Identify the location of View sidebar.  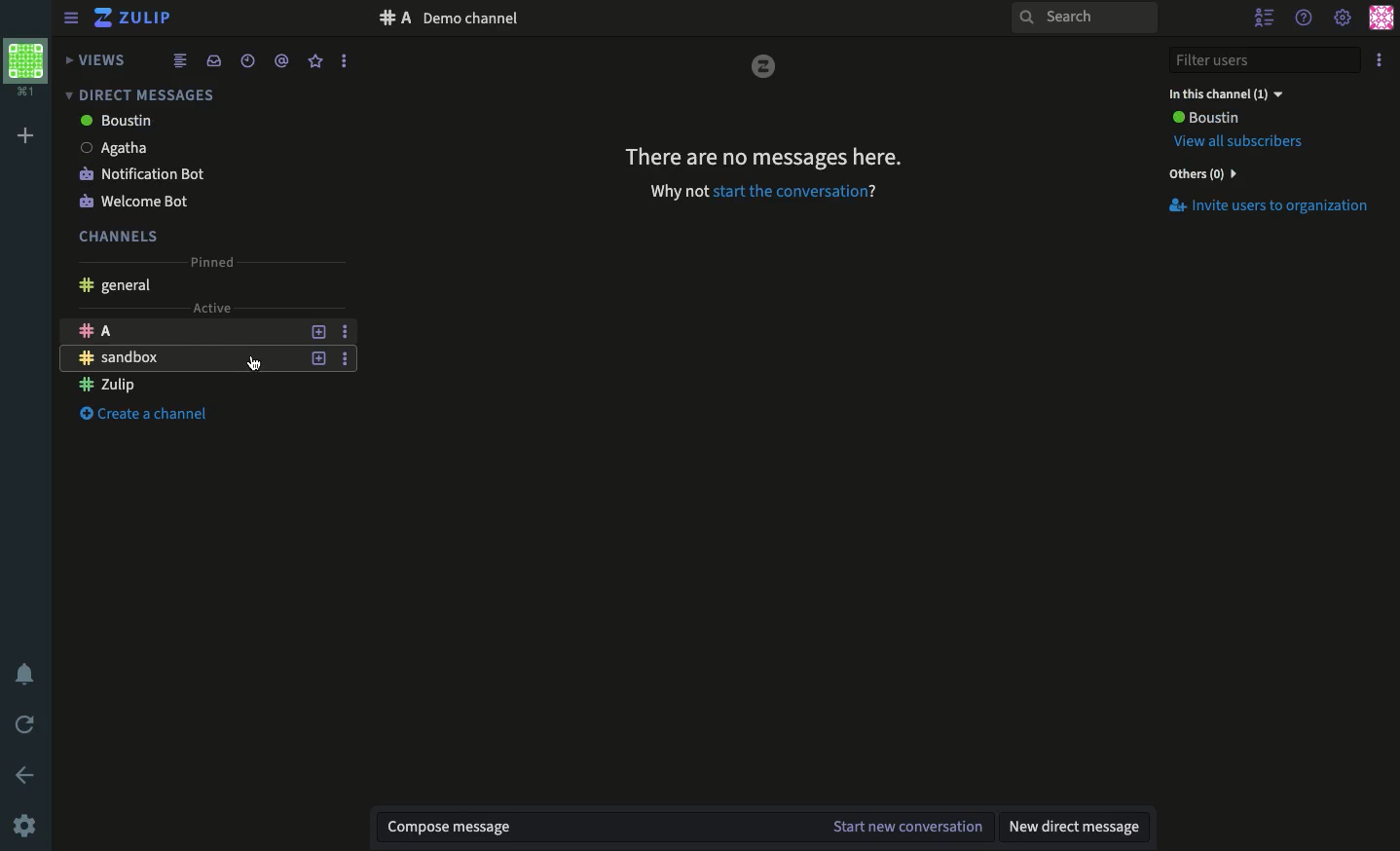
(72, 20).